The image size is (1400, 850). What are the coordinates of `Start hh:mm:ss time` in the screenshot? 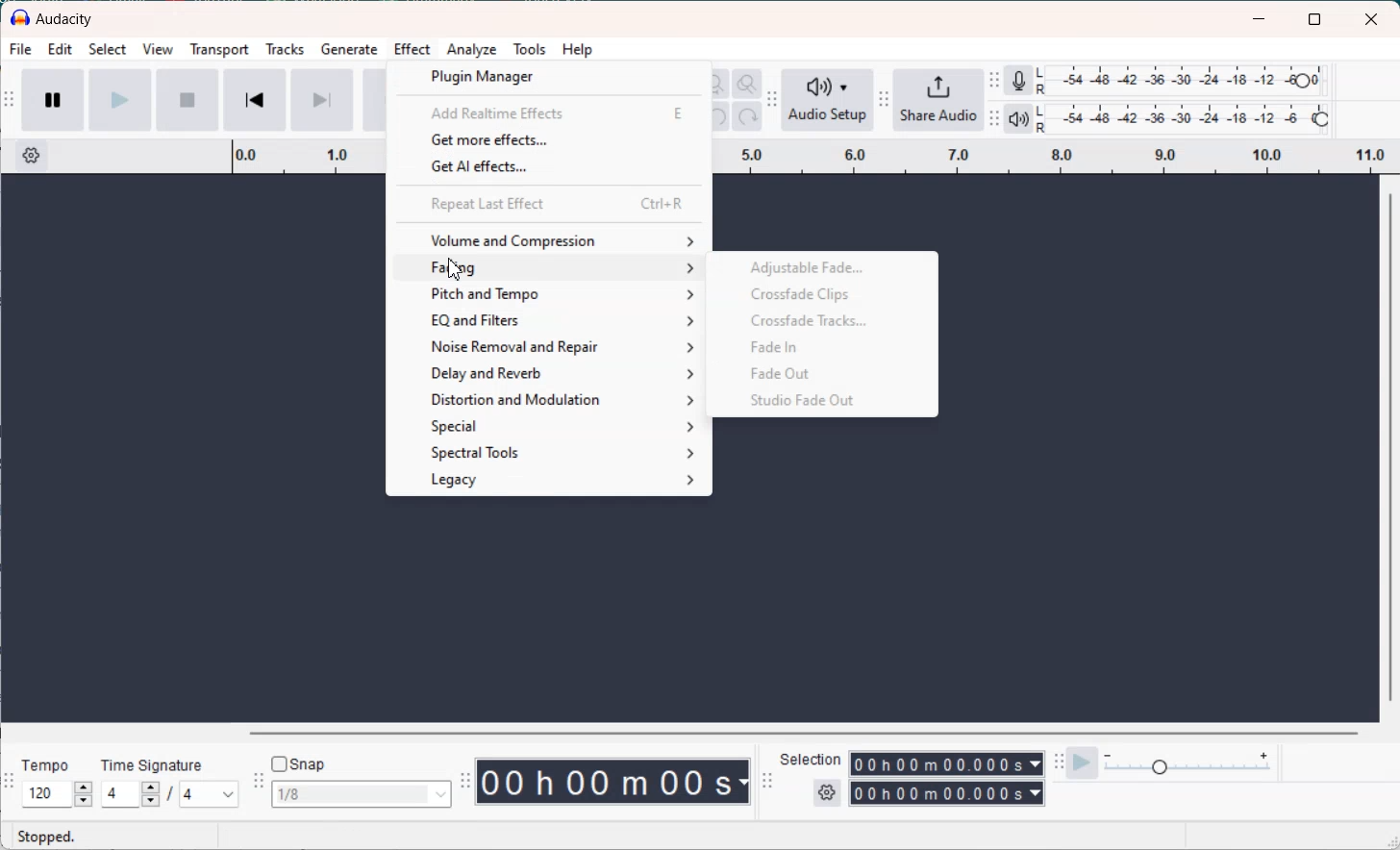 It's located at (947, 763).